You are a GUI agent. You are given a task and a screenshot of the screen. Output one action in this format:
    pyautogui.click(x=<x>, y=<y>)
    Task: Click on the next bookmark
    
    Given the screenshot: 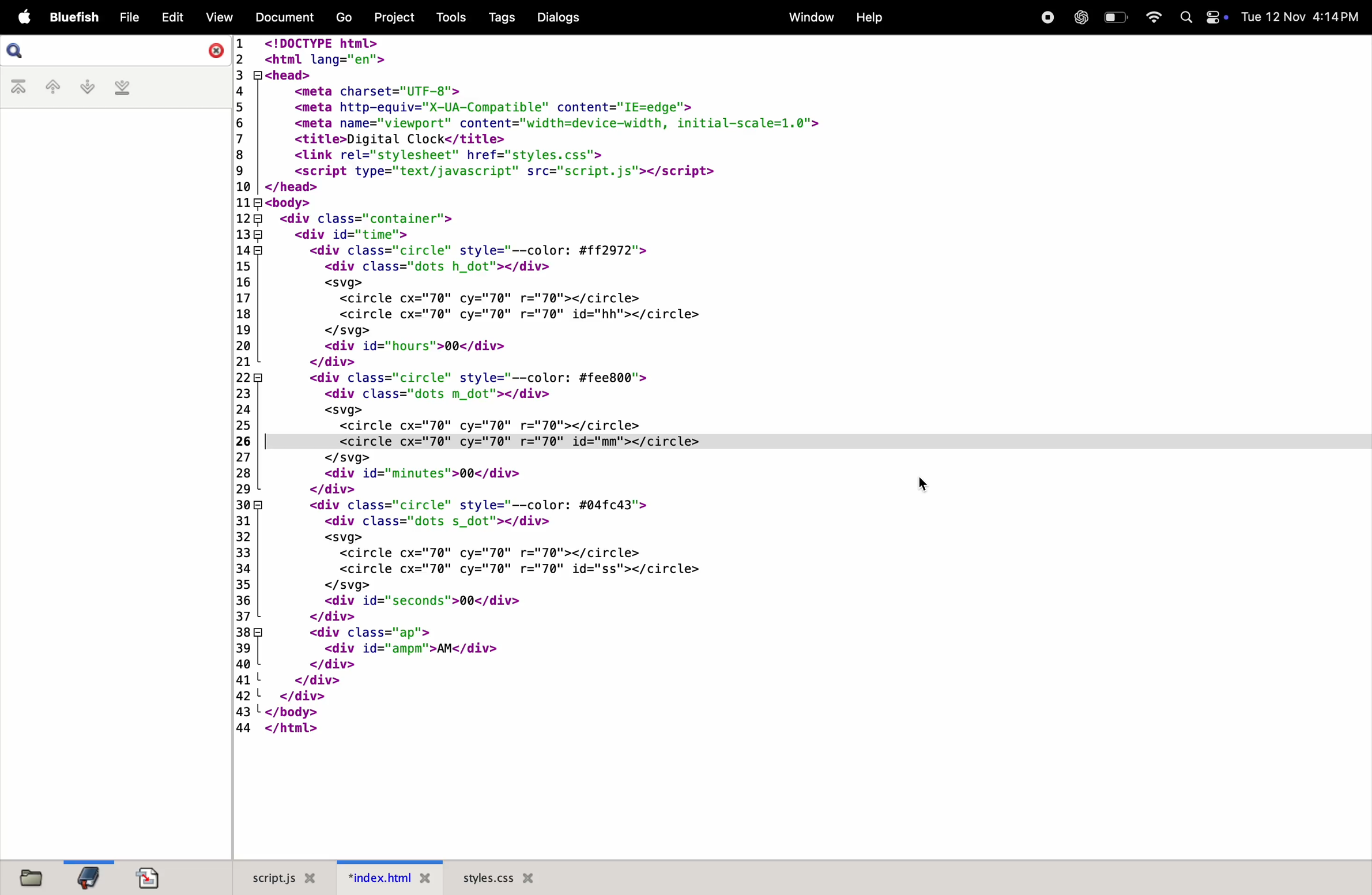 What is the action you would take?
    pyautogui.click(x=84, y=87)
    